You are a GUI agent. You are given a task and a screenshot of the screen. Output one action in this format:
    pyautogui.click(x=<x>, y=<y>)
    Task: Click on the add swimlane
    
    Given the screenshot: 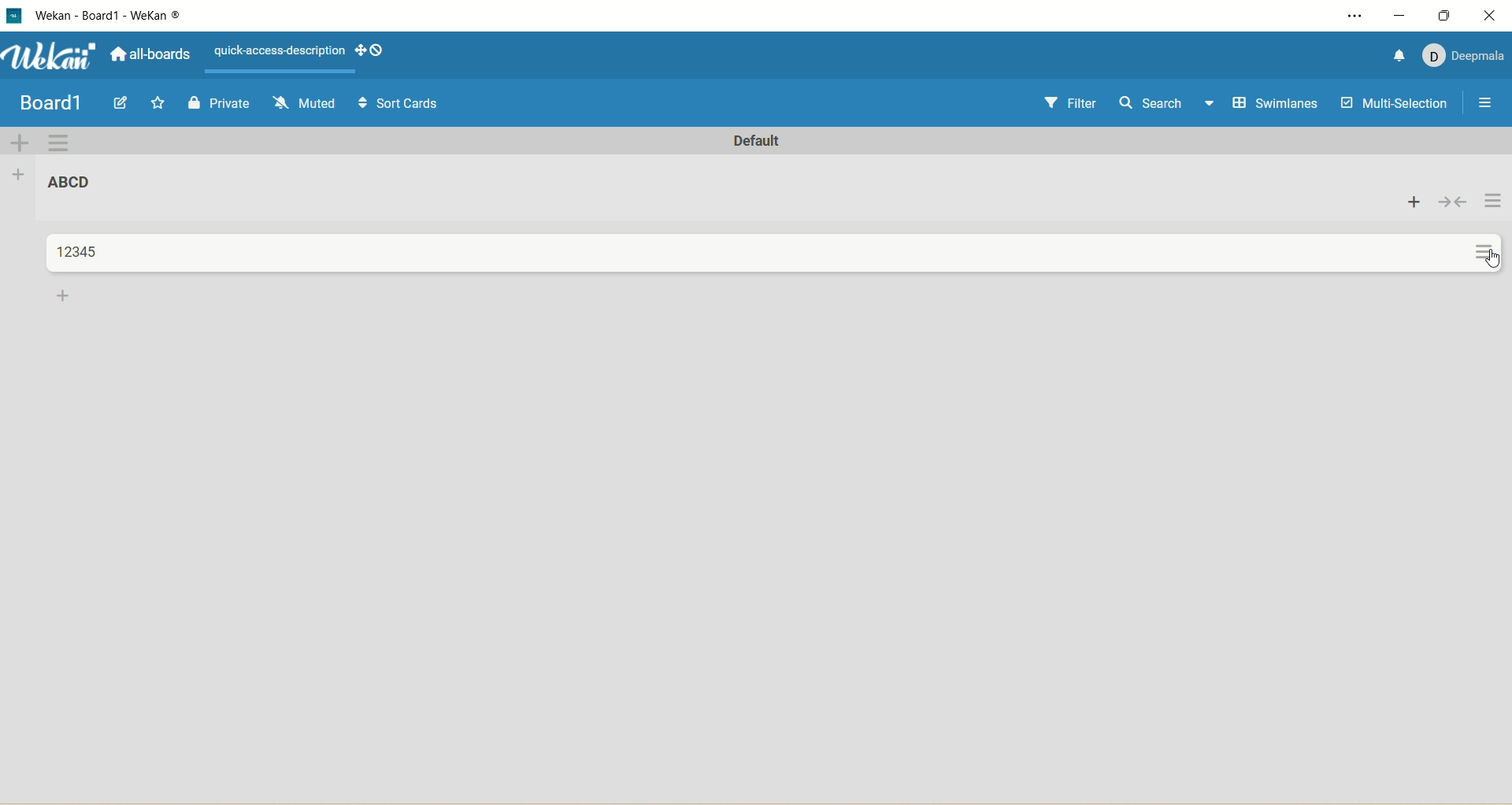 What is the action you would take?
    pyautogui.click(x=21, y=142)
    